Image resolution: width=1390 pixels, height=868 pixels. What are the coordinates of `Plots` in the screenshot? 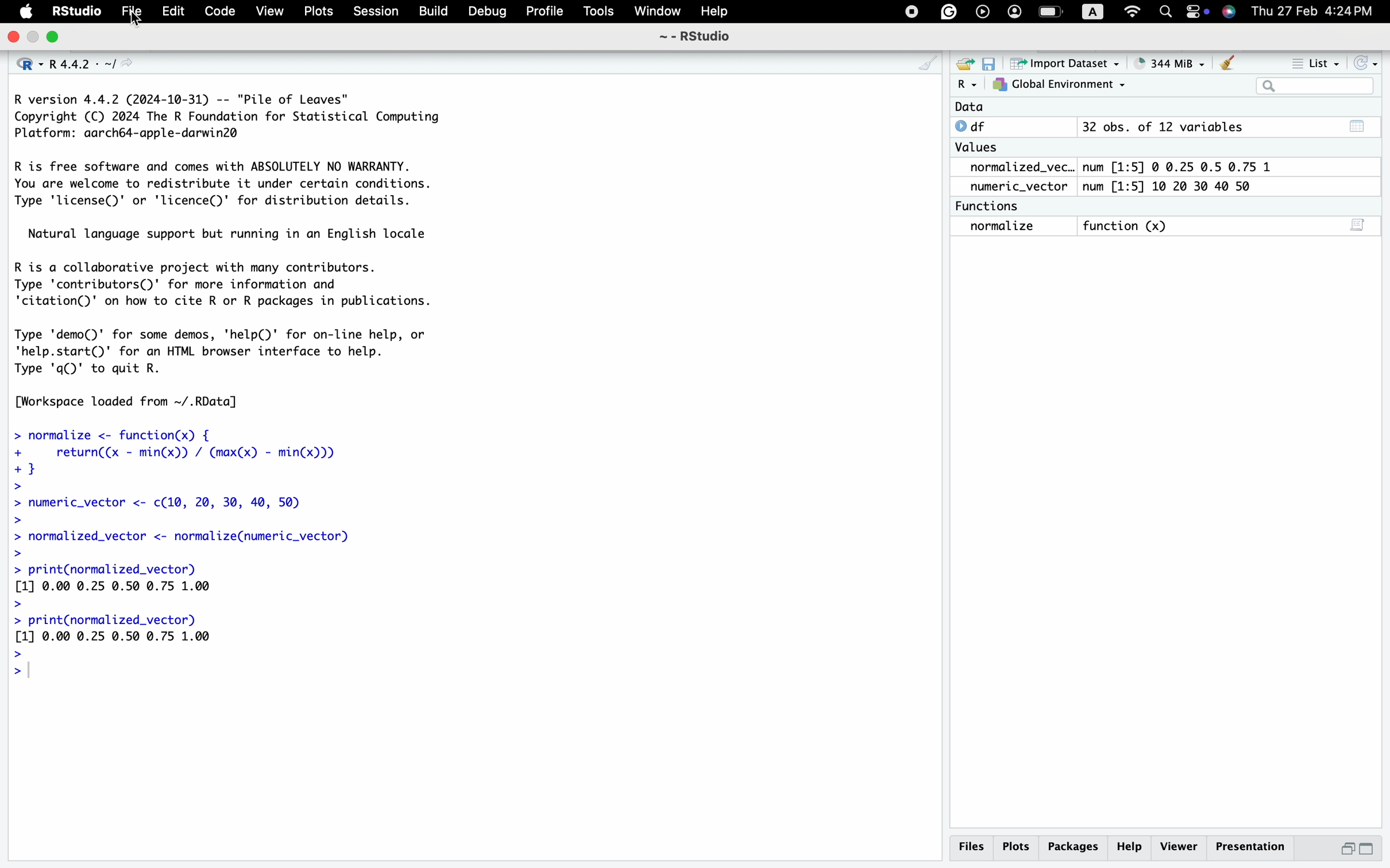 It's located at (318, 13).